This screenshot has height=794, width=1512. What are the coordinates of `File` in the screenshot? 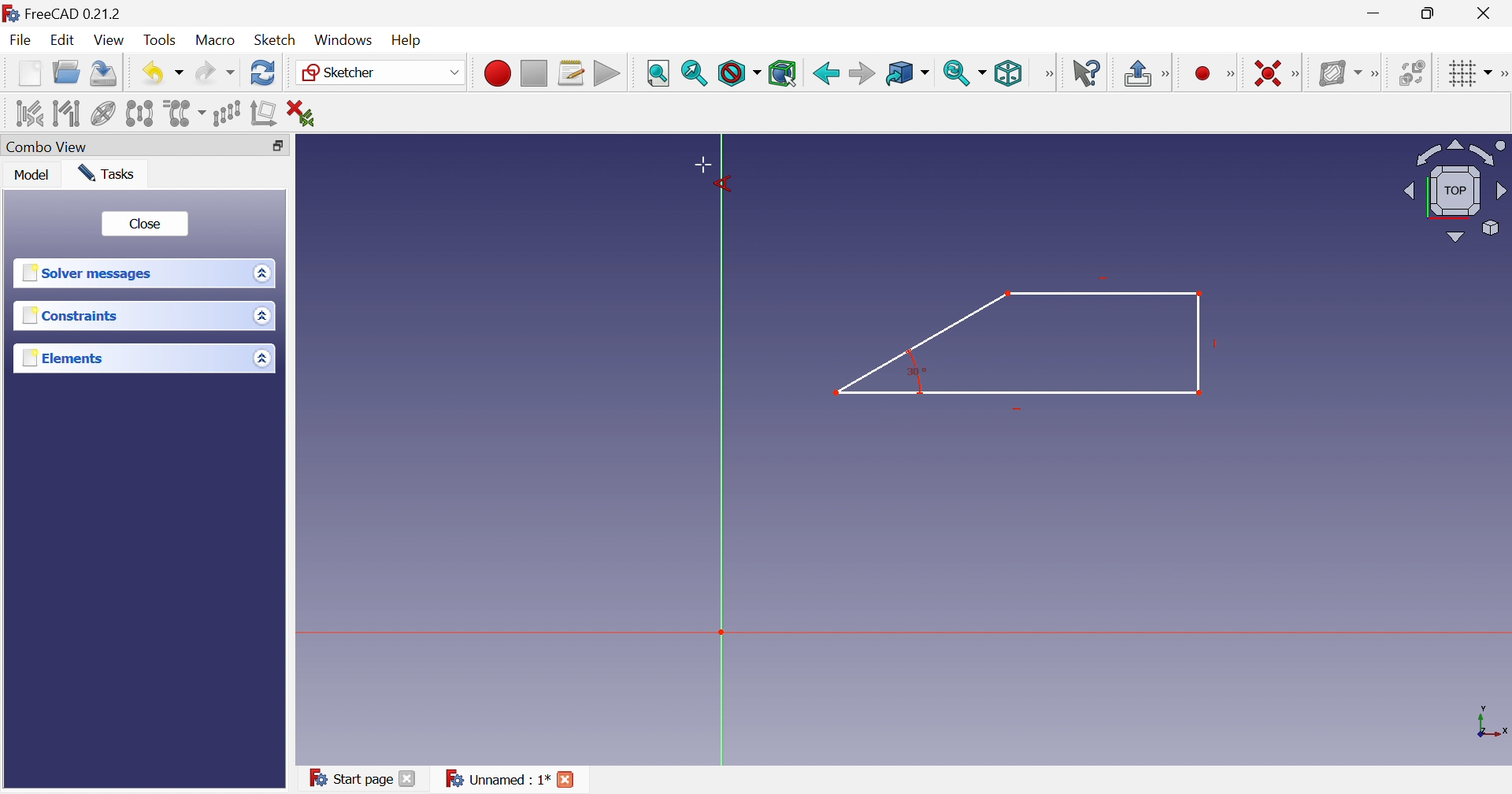 It's located at (20, 42).